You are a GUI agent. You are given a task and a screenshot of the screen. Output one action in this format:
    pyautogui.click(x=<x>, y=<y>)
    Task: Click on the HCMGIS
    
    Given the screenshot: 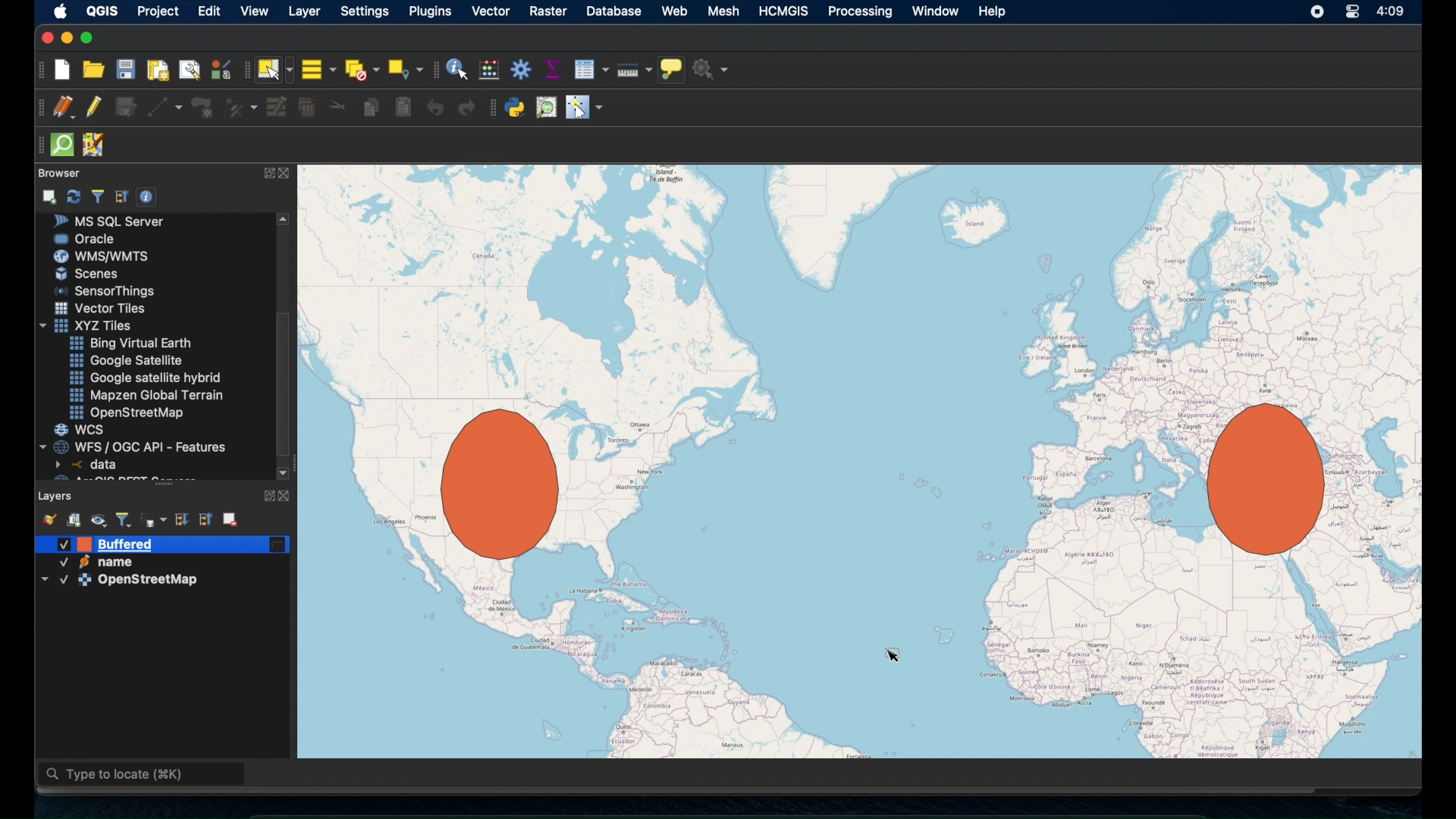 What is the action you would take?
    pyautogui.click(x=786, y=11)
    